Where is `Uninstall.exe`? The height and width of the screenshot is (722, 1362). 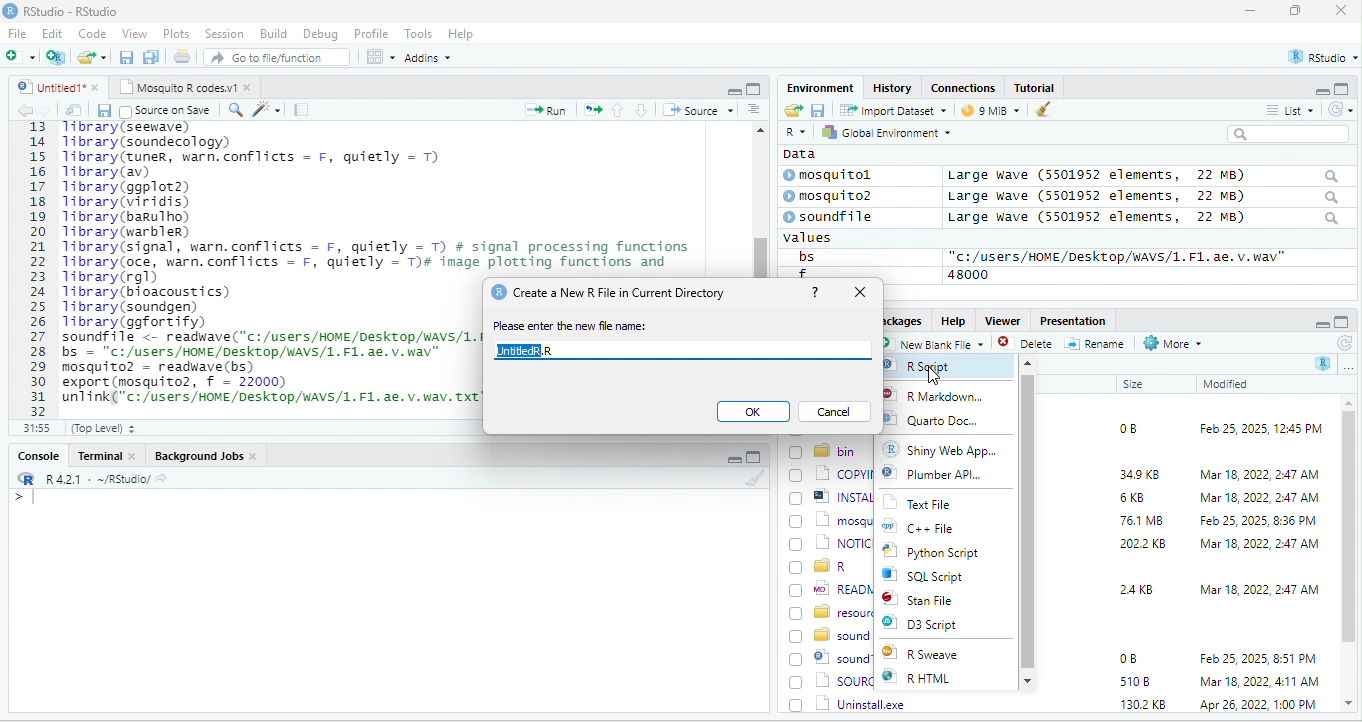 Uninstall.exe is located at coordinates (849, 703).